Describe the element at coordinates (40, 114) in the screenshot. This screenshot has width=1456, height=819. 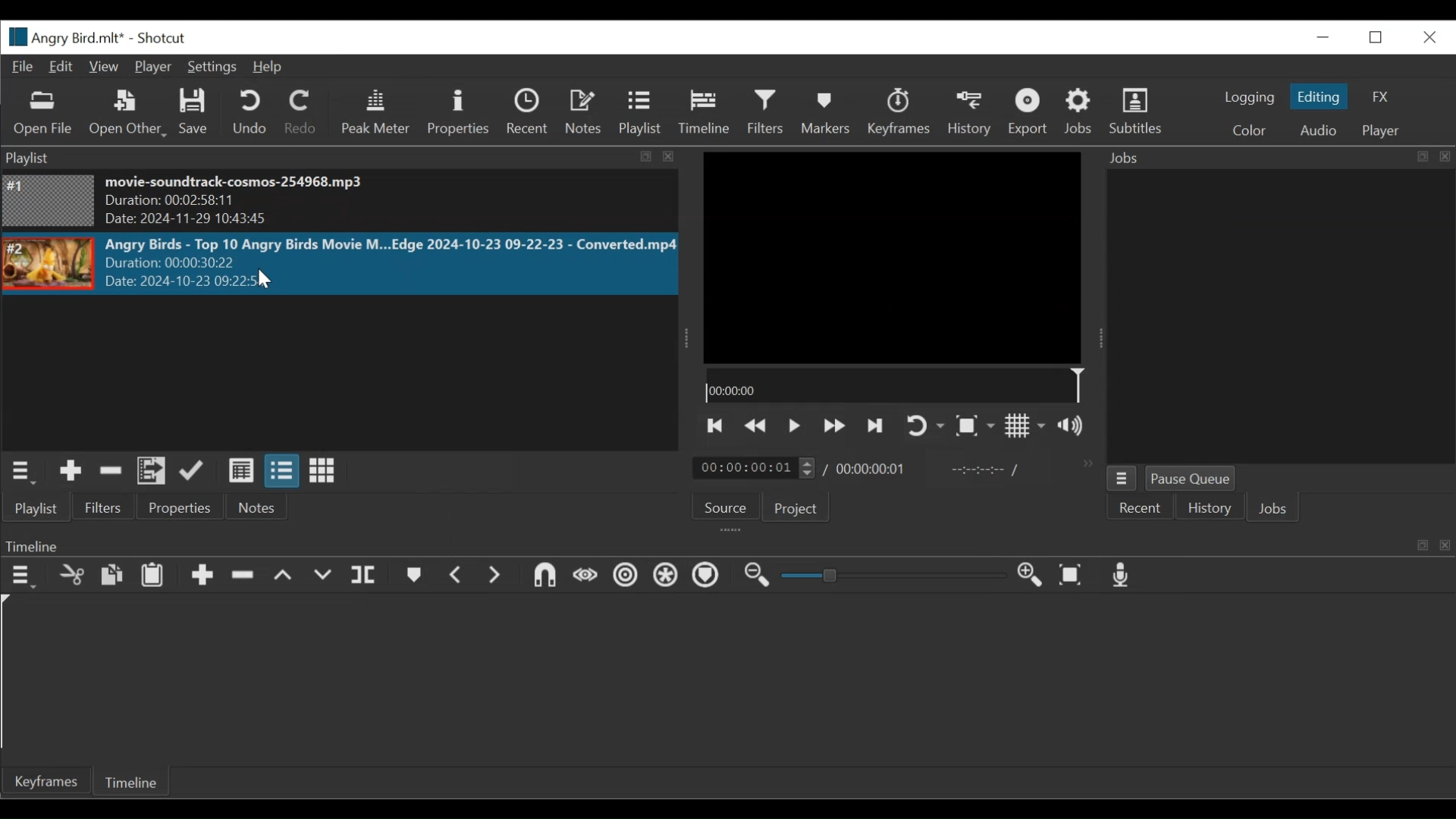
I see `Open File` at that location.